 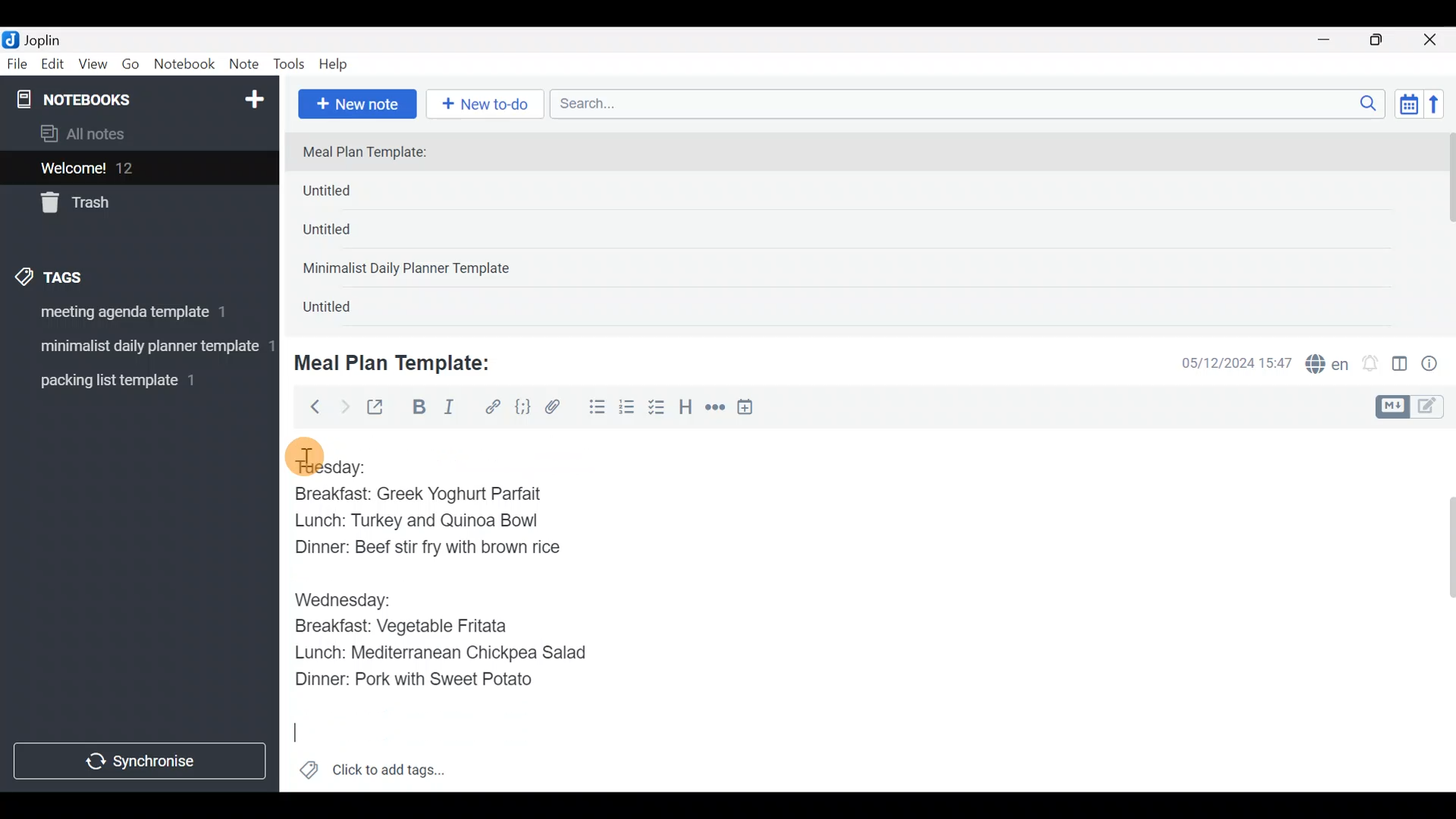 I want to click on Note, so click(x=247, y=65).